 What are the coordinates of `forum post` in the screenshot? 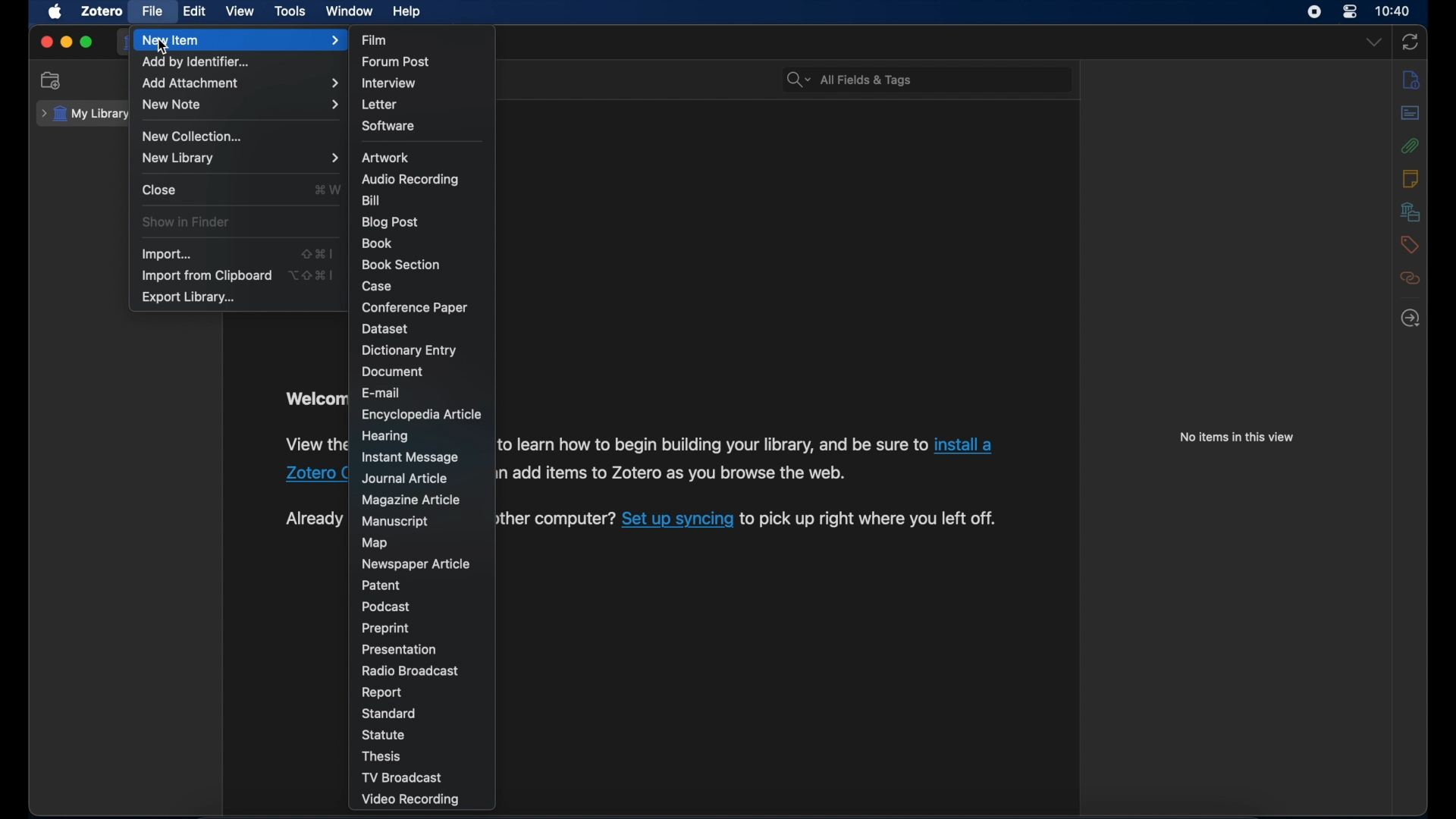 It's located at (397, 61).